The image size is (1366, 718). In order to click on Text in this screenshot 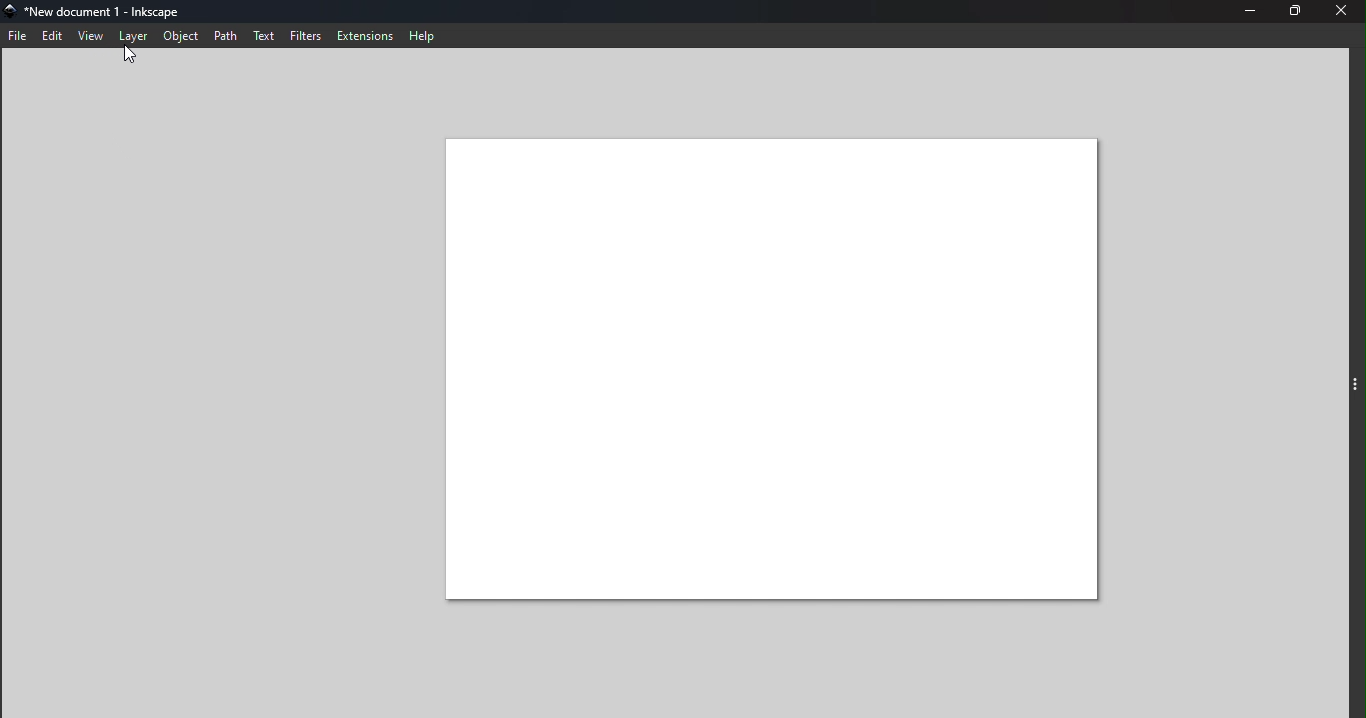, I will do `click(265, 37)`.